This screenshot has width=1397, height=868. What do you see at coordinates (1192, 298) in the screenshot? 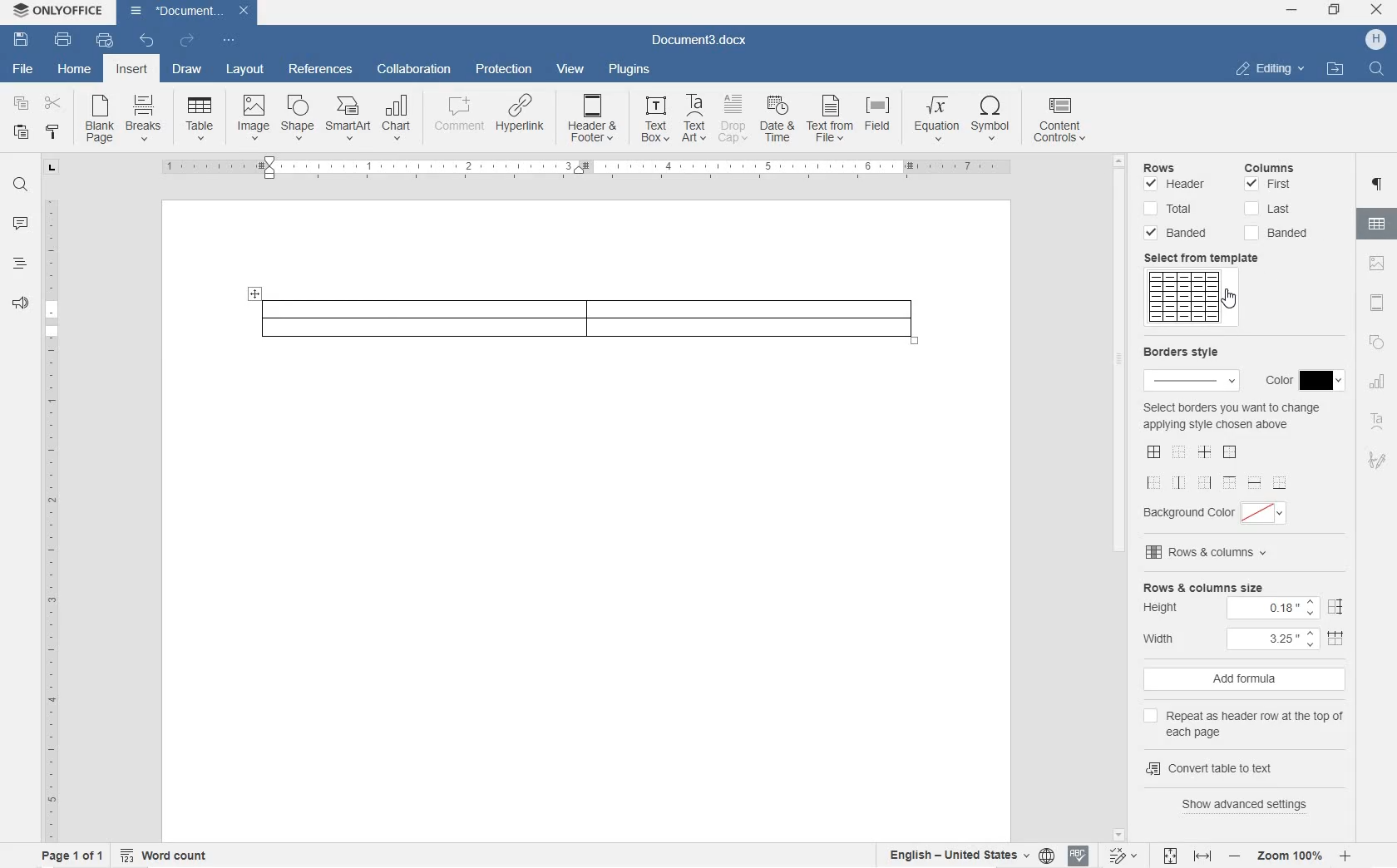
I see `Templates` at bounding box center [1192, 298].